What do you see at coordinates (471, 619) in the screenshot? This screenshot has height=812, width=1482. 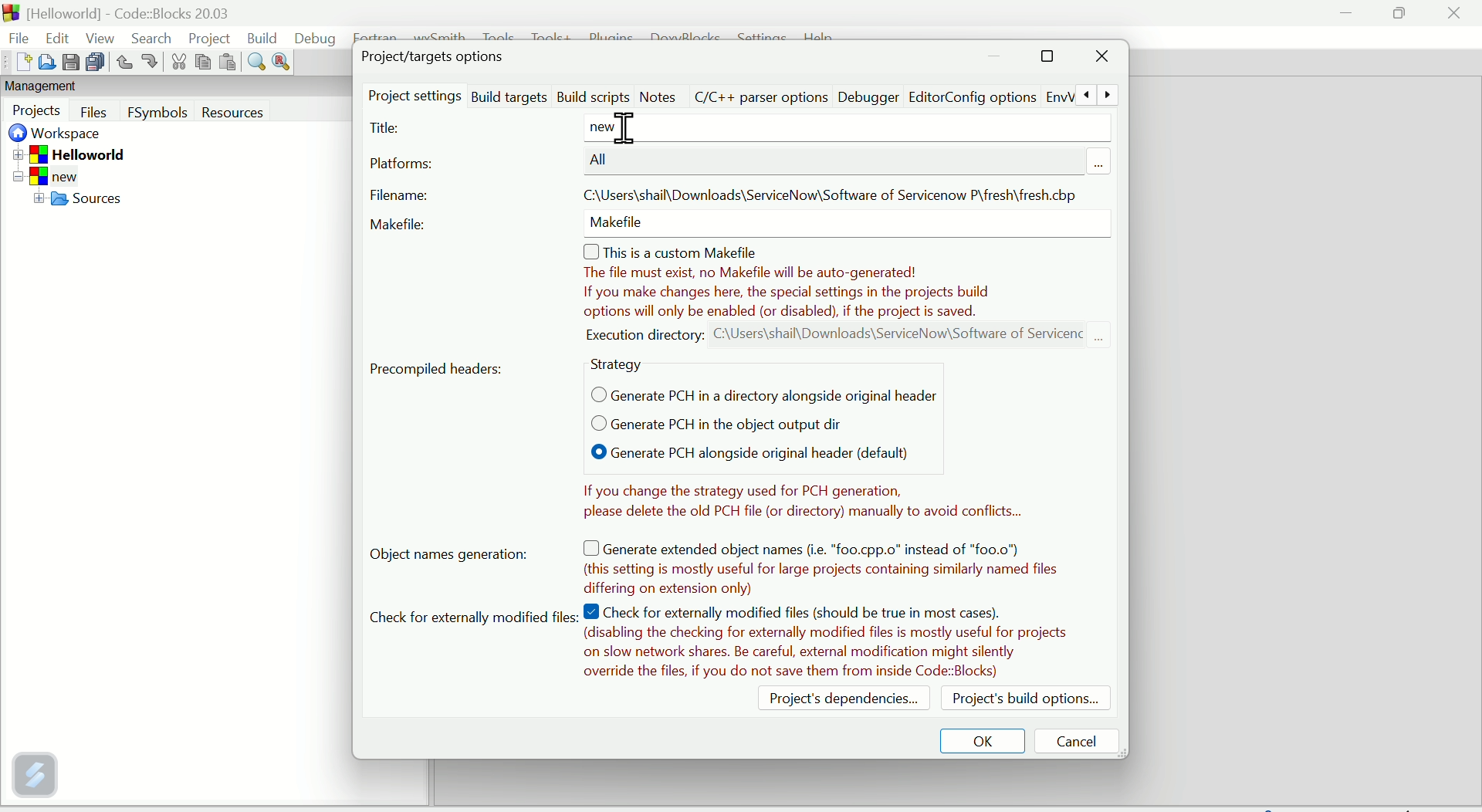 I see `cheque for external modified file` at bounding box center [471, 619].